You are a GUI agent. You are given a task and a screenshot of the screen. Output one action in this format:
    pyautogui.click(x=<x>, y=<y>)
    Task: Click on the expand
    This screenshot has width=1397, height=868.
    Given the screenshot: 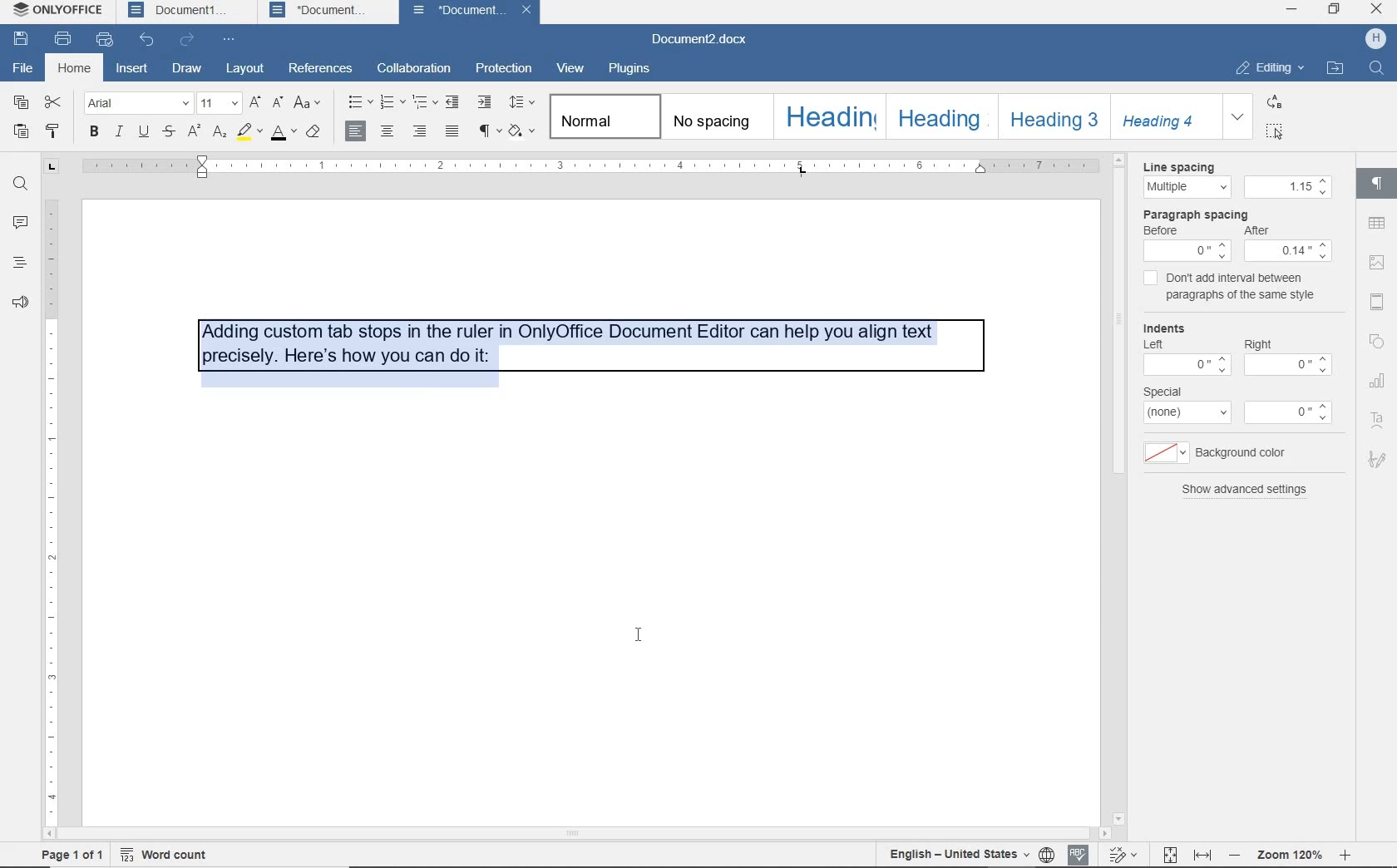 What is the action you would take?
    pyautogui.click(x=1238, y=116)
    